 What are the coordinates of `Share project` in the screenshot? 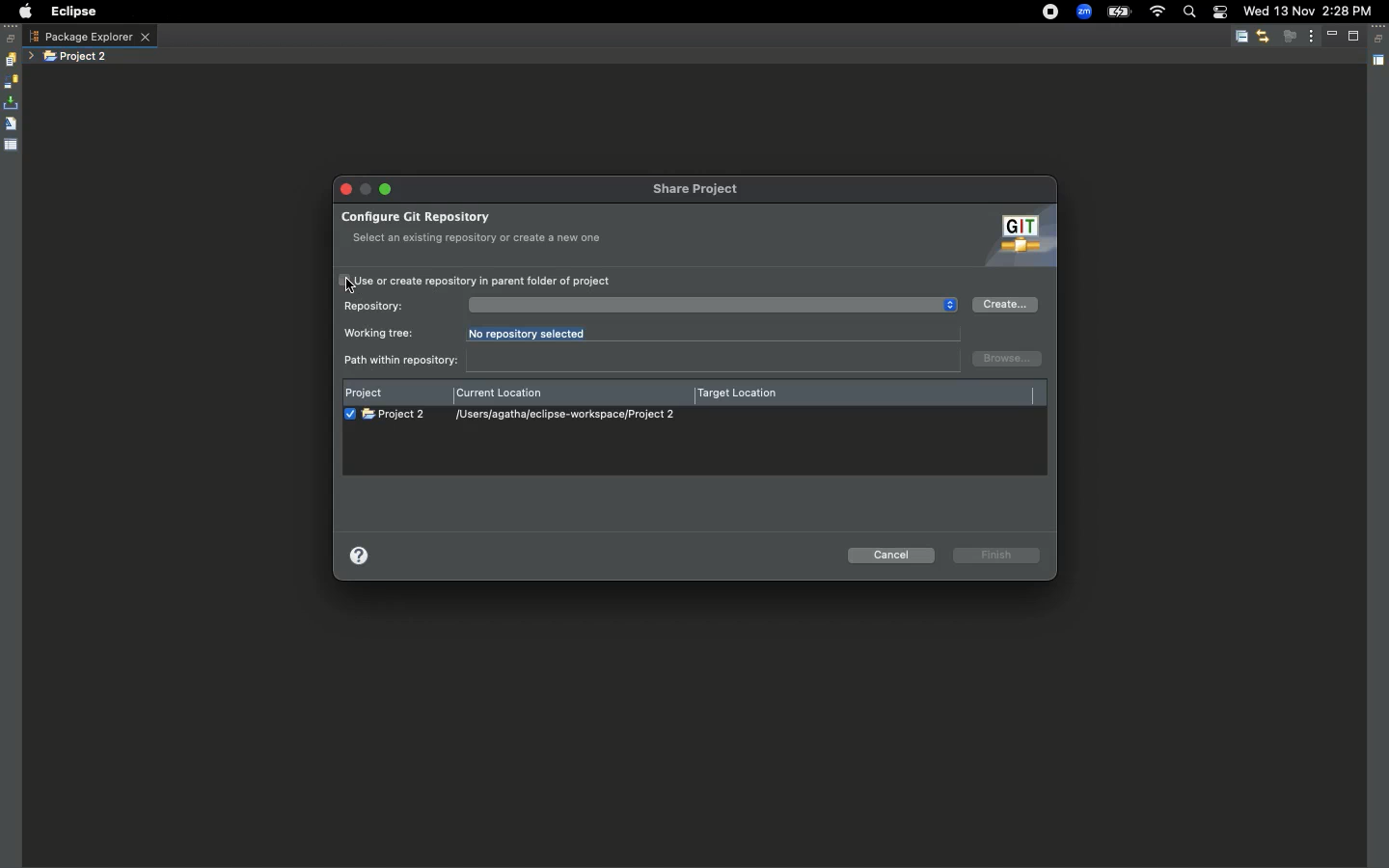 It's located at (704, 190).